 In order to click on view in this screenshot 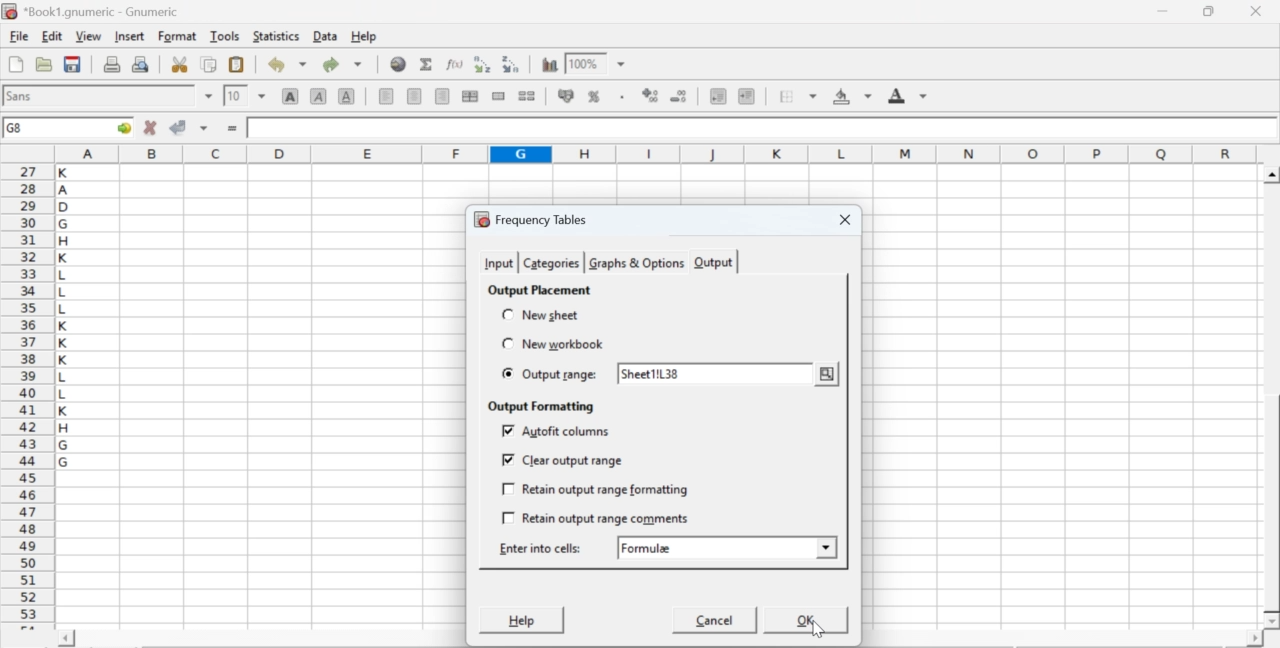, I will do `click(88, 35)`.